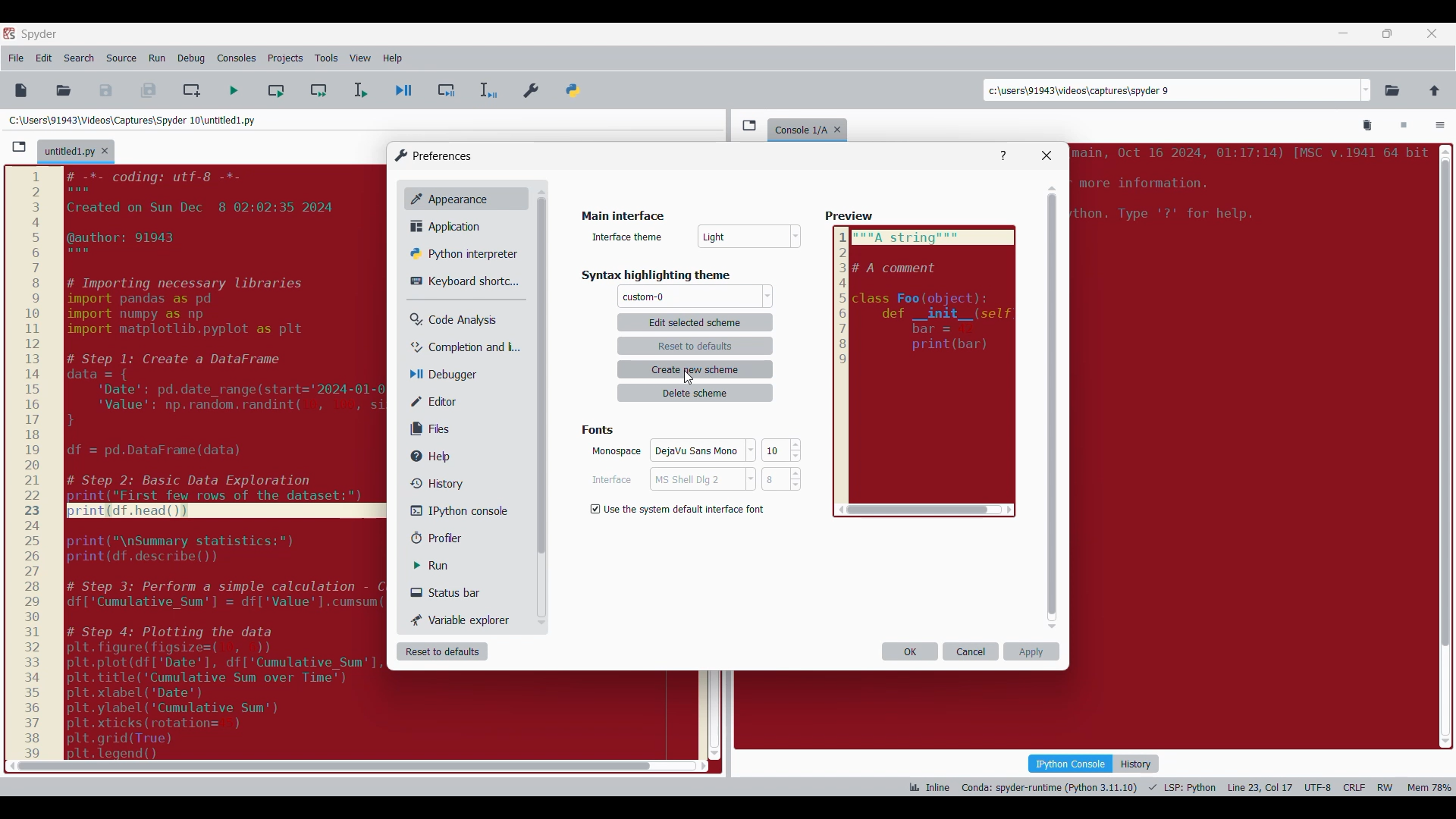 Image resolution: width=1456 pixels, height=819 pixels. I want to click on Variable explorer, so click(468, 620).